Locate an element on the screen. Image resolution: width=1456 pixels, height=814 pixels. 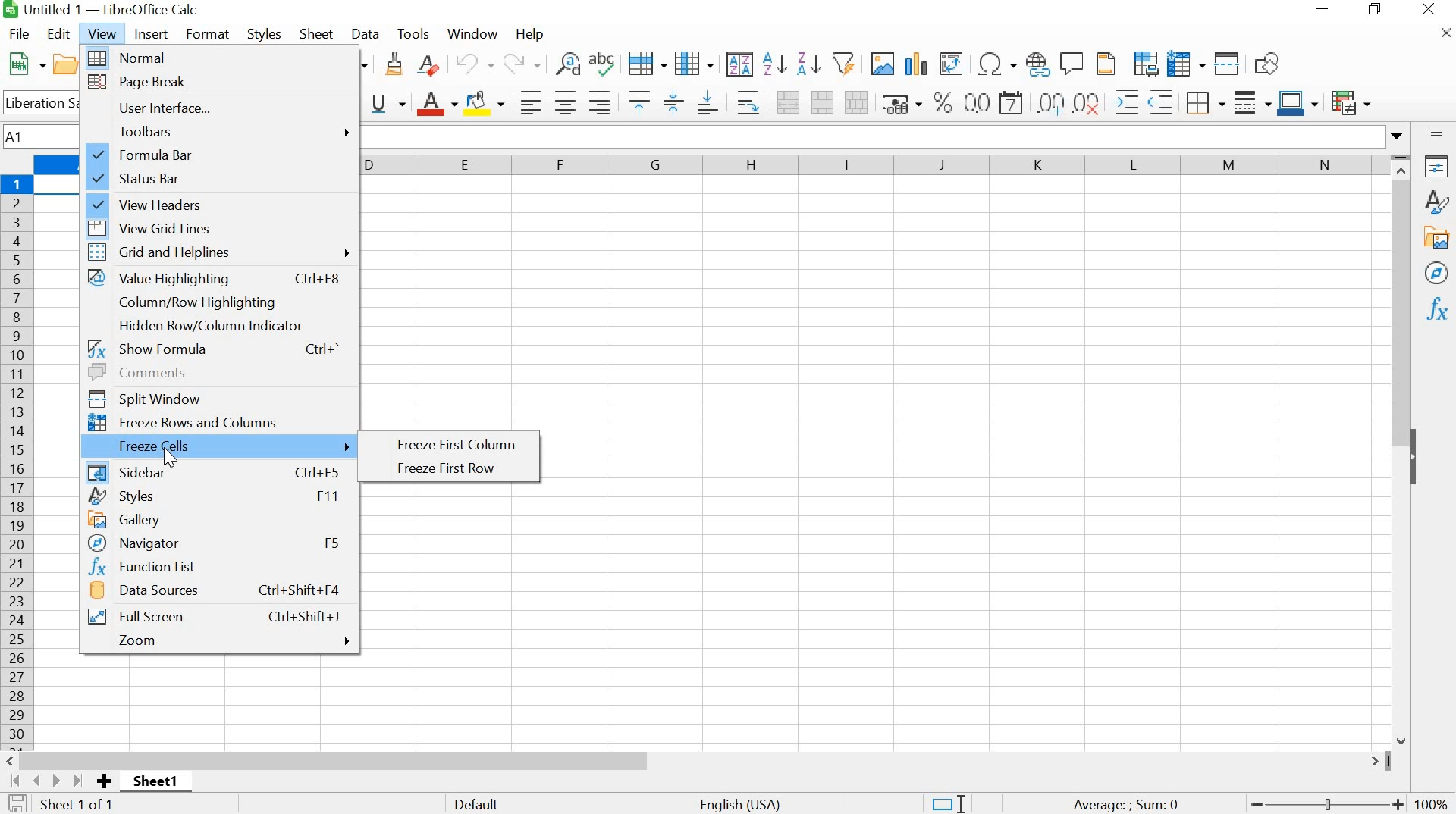
FREEZE ROWS AND COLUMNS is located at coordinates (218, 421).